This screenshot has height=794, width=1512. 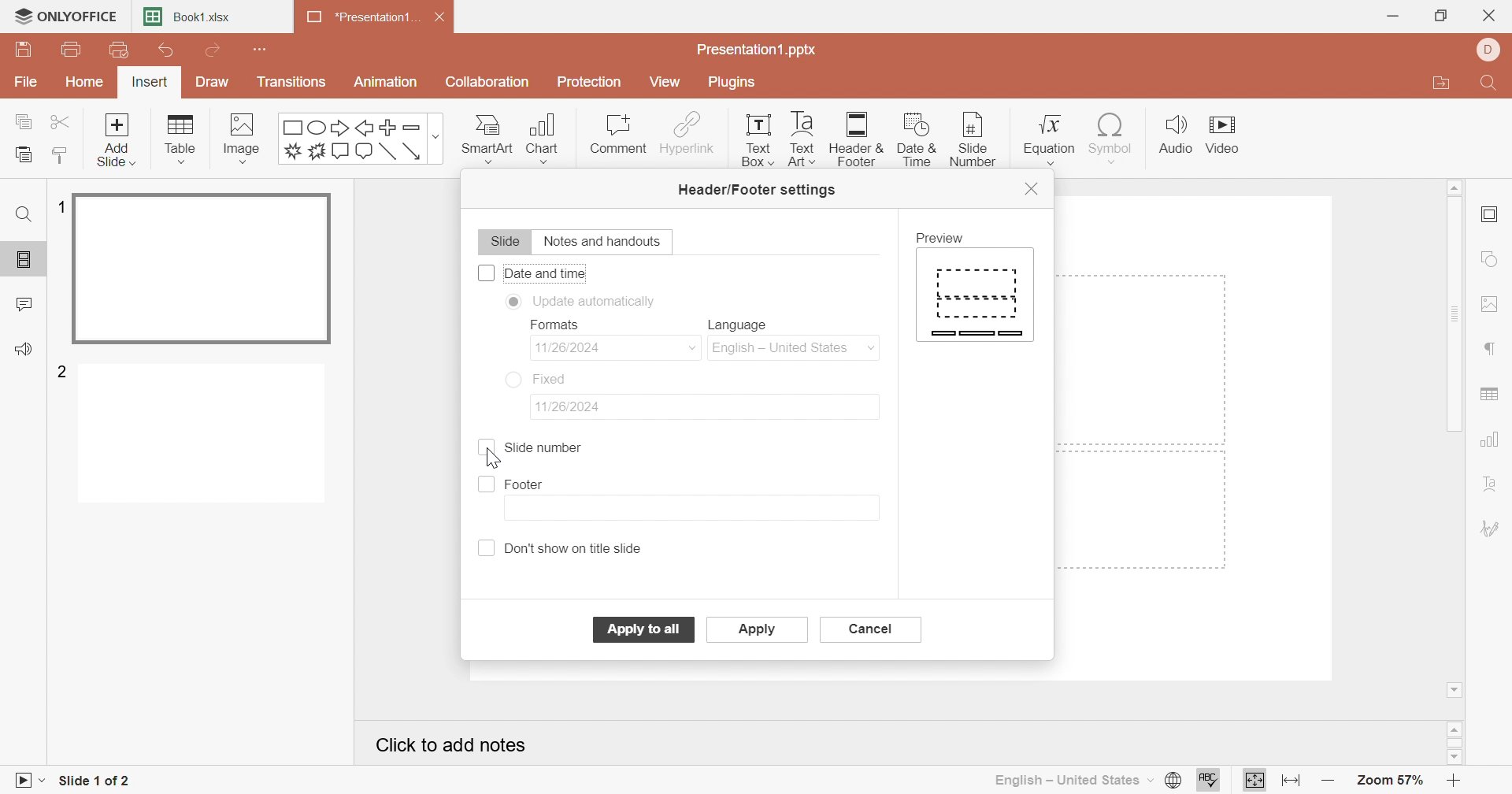 I want to click on Protection, so click(x=591, y=84).